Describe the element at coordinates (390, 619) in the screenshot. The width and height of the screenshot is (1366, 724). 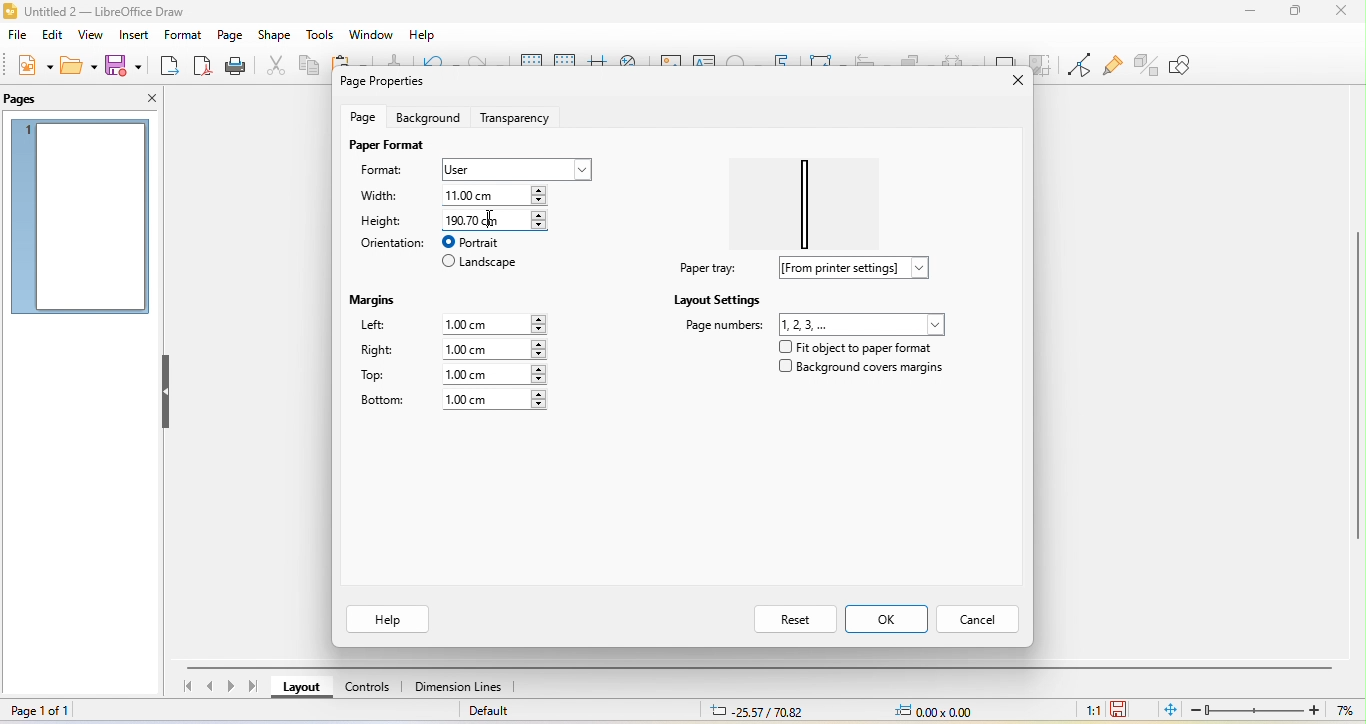
I see `help` at that location.